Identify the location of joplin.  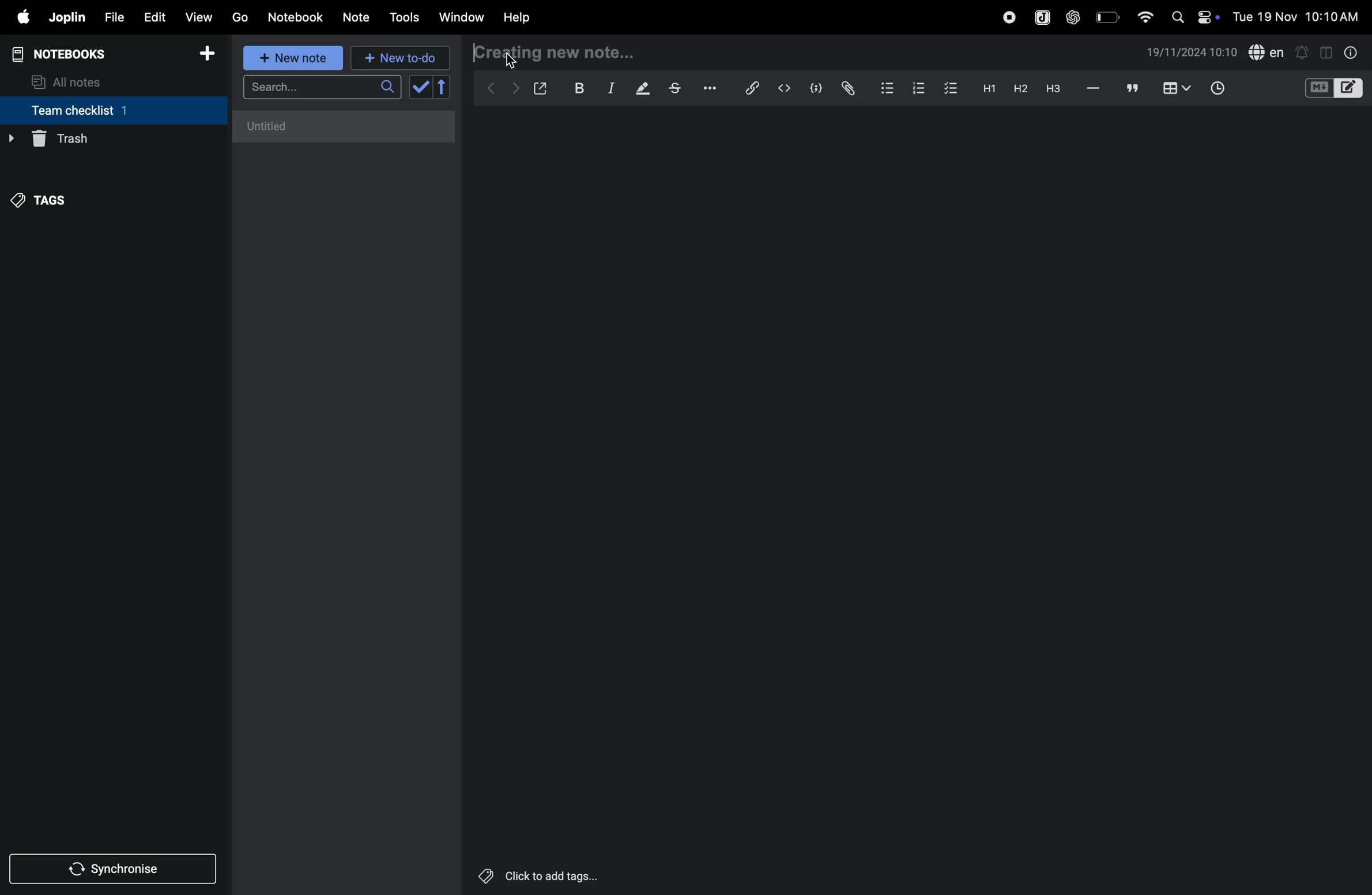
(68, 18).